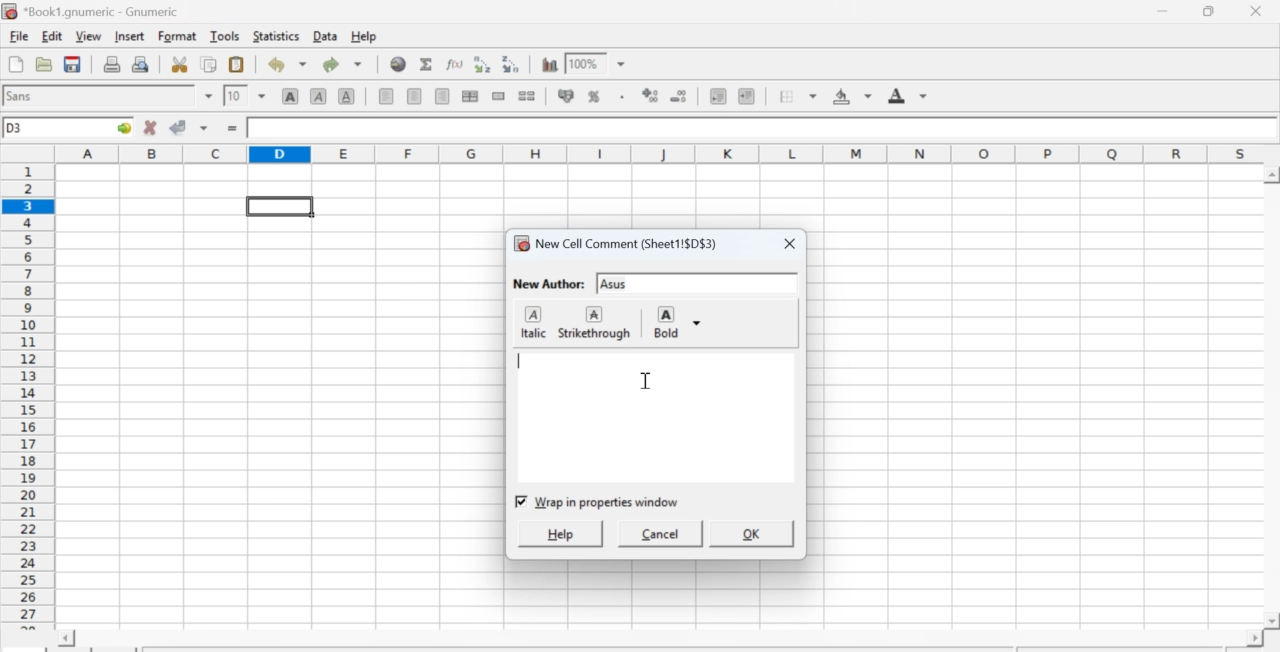 The image size is (1280, 652). I want to click on Font Style, so click(100, 98).